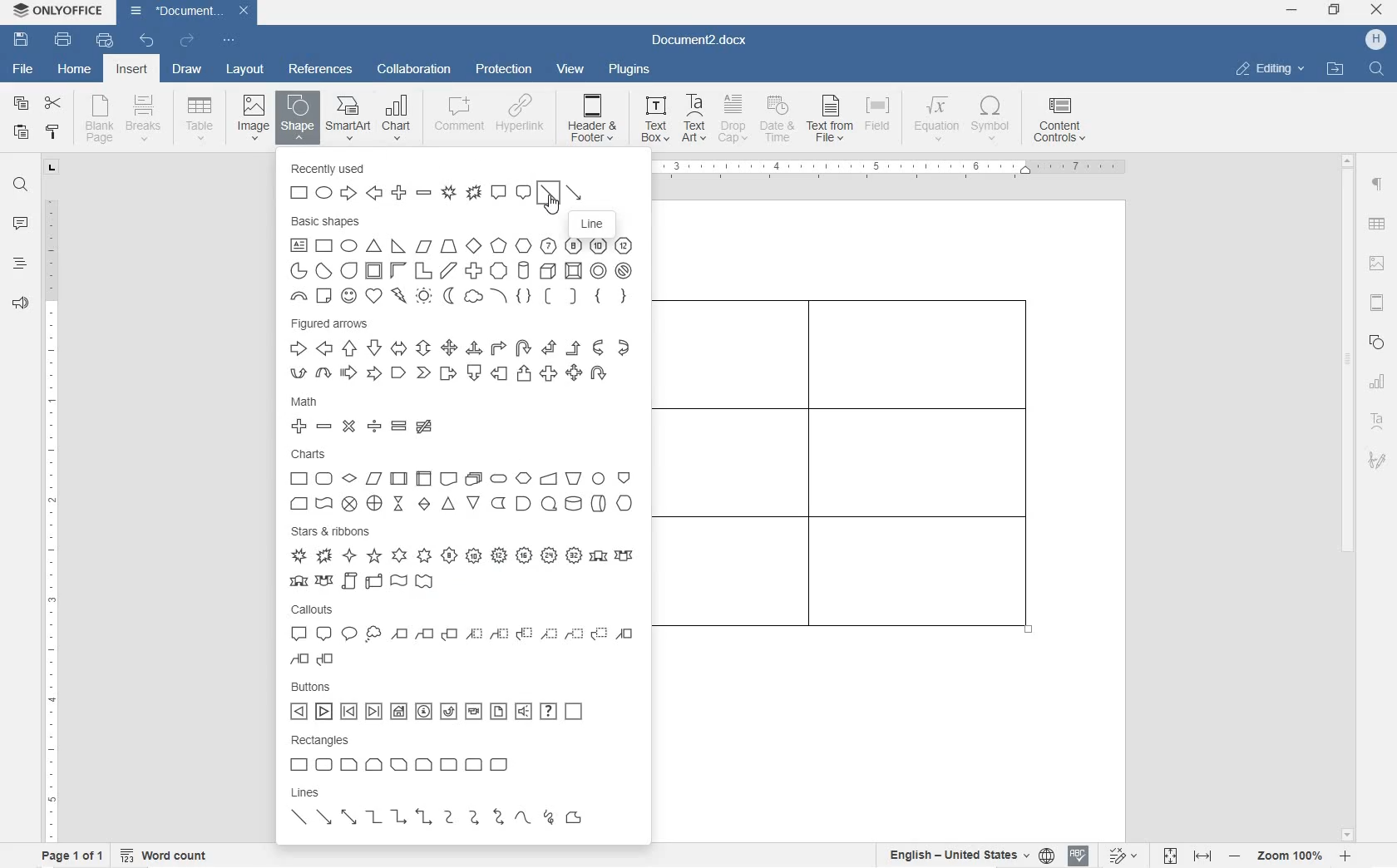  I want to click on COMMENT, so click(458, 119).